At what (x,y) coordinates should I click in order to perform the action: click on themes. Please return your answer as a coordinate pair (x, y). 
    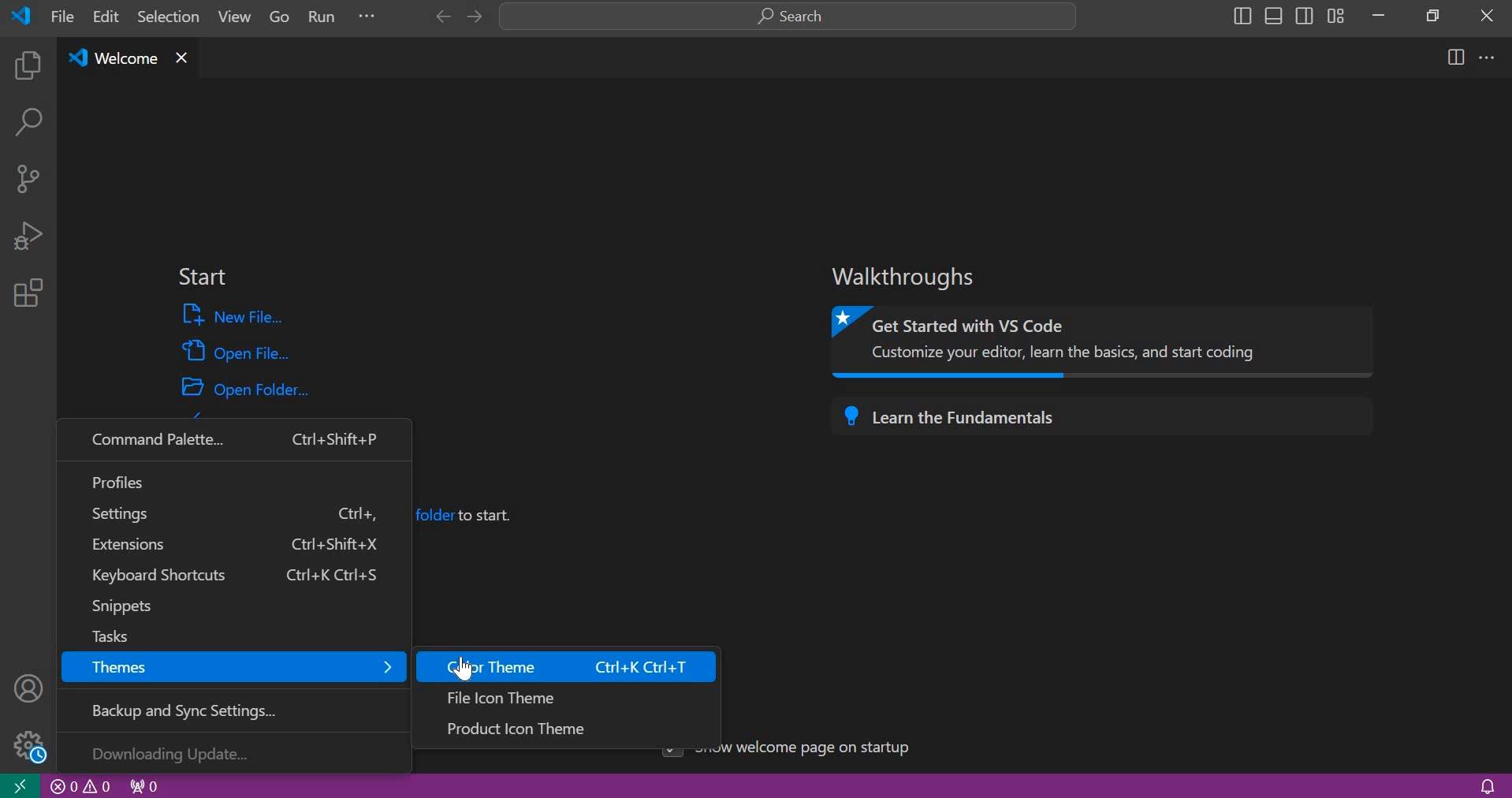
    Looking at the image, I should click on (236, 666).